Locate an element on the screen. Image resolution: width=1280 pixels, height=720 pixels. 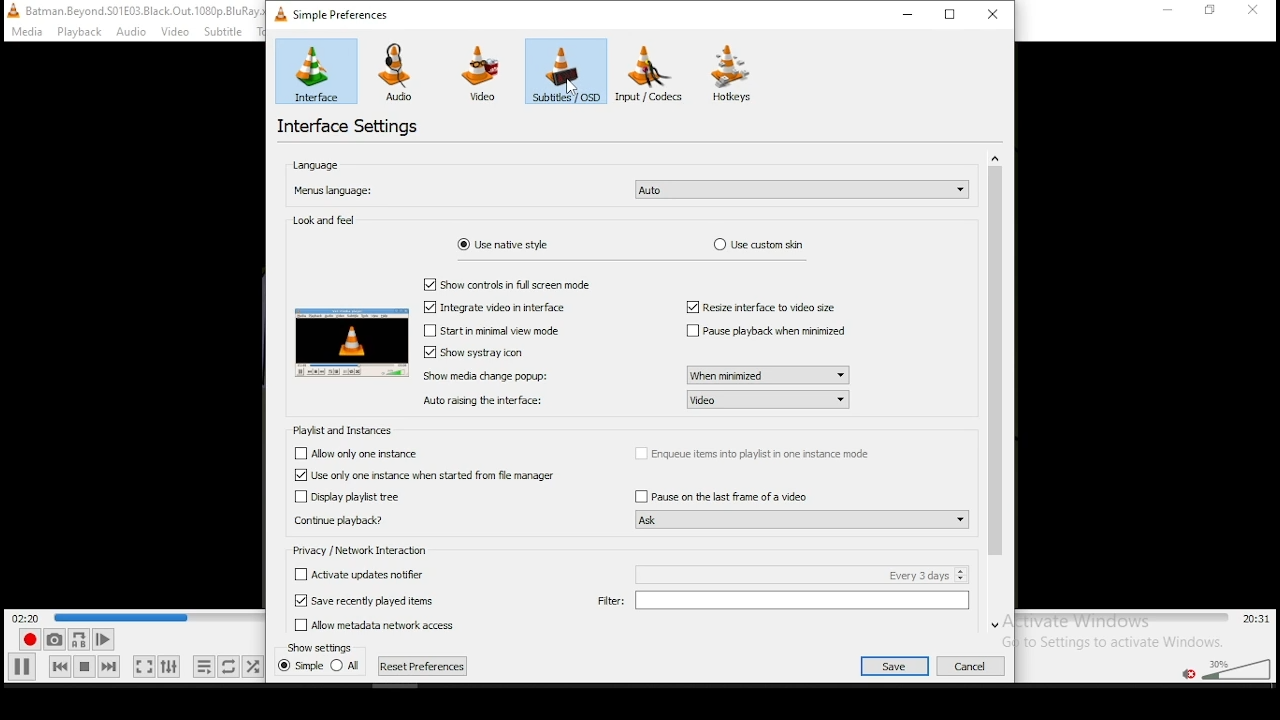
language settings selection is located at coordinates (800, 190).